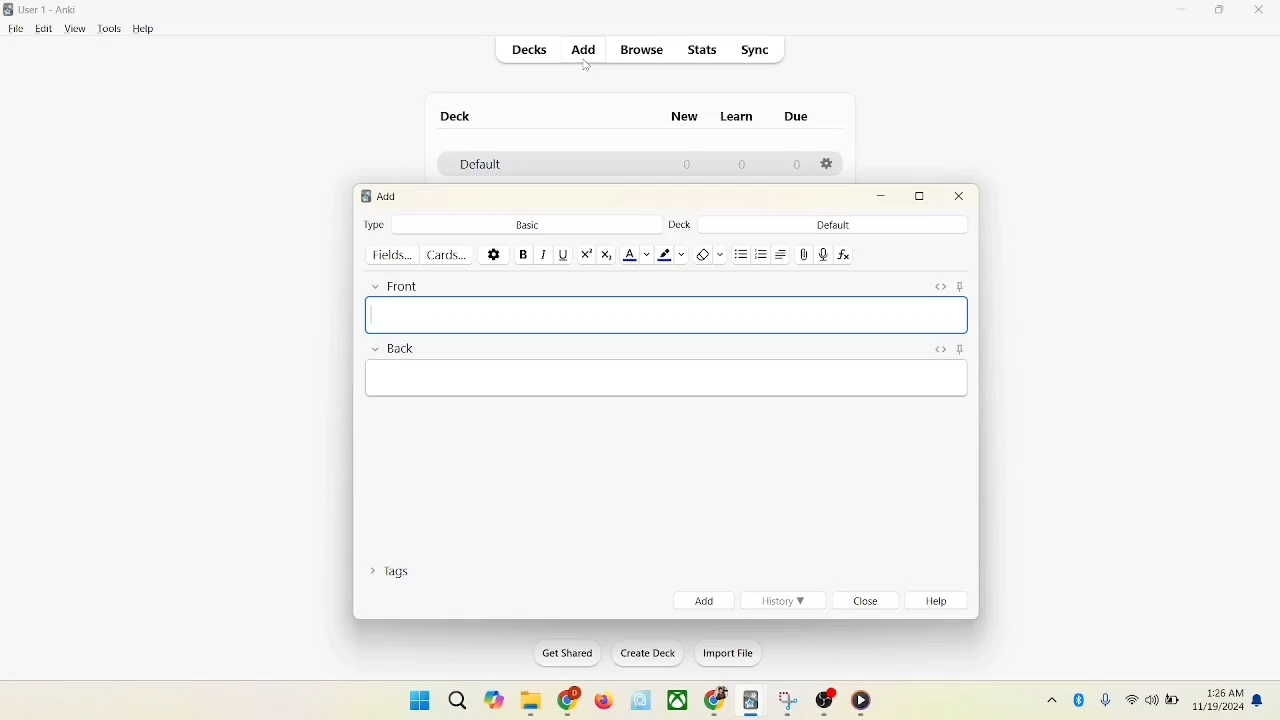 This screenshot has height=720, width=1280. Describe the element at coordinates (708, 253) in the screenshot. I see `remove formatting` at that location.